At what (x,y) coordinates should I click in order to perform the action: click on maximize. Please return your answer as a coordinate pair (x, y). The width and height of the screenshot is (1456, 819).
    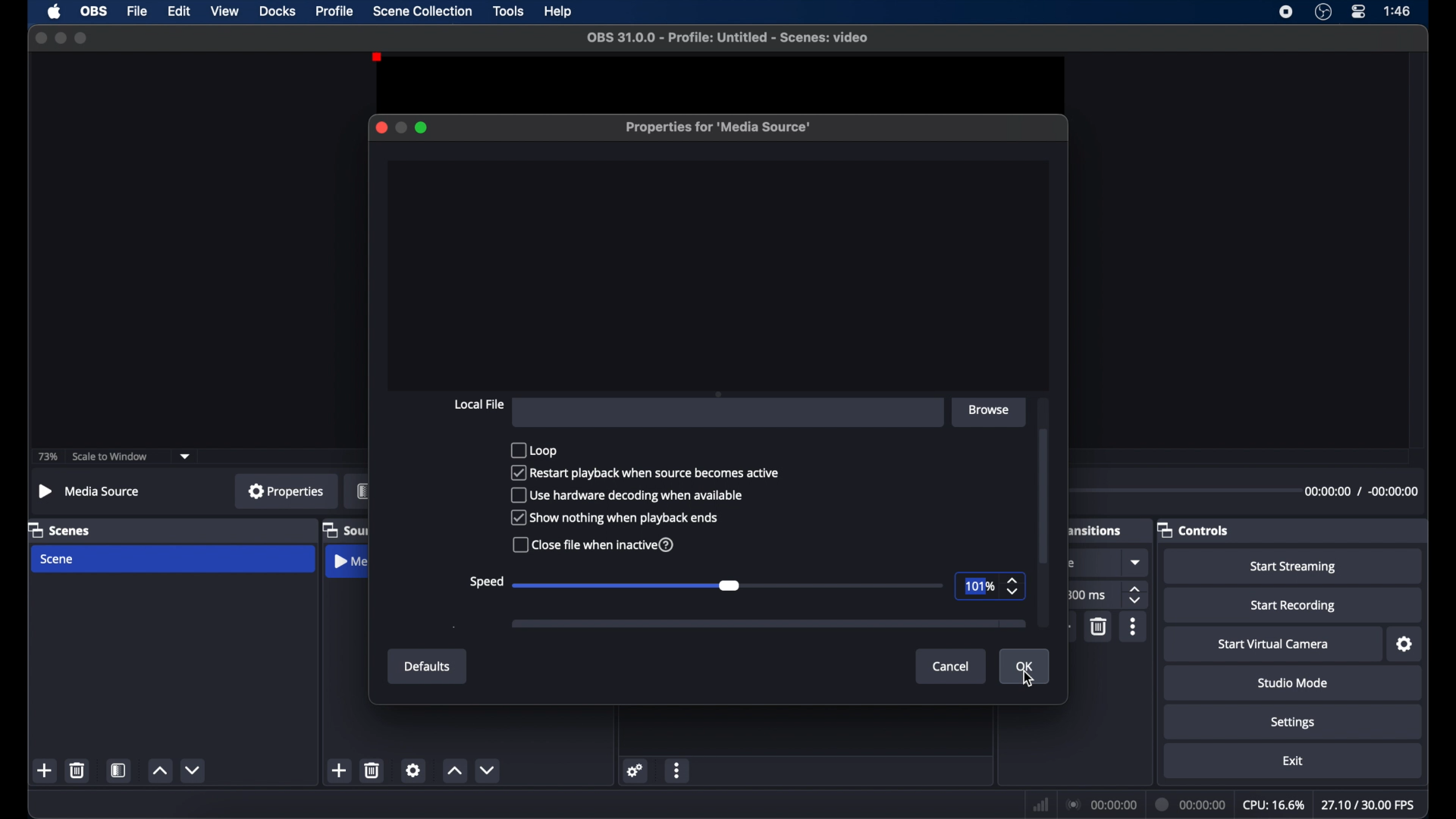
    Looking at the image, I should click on (422, 127).